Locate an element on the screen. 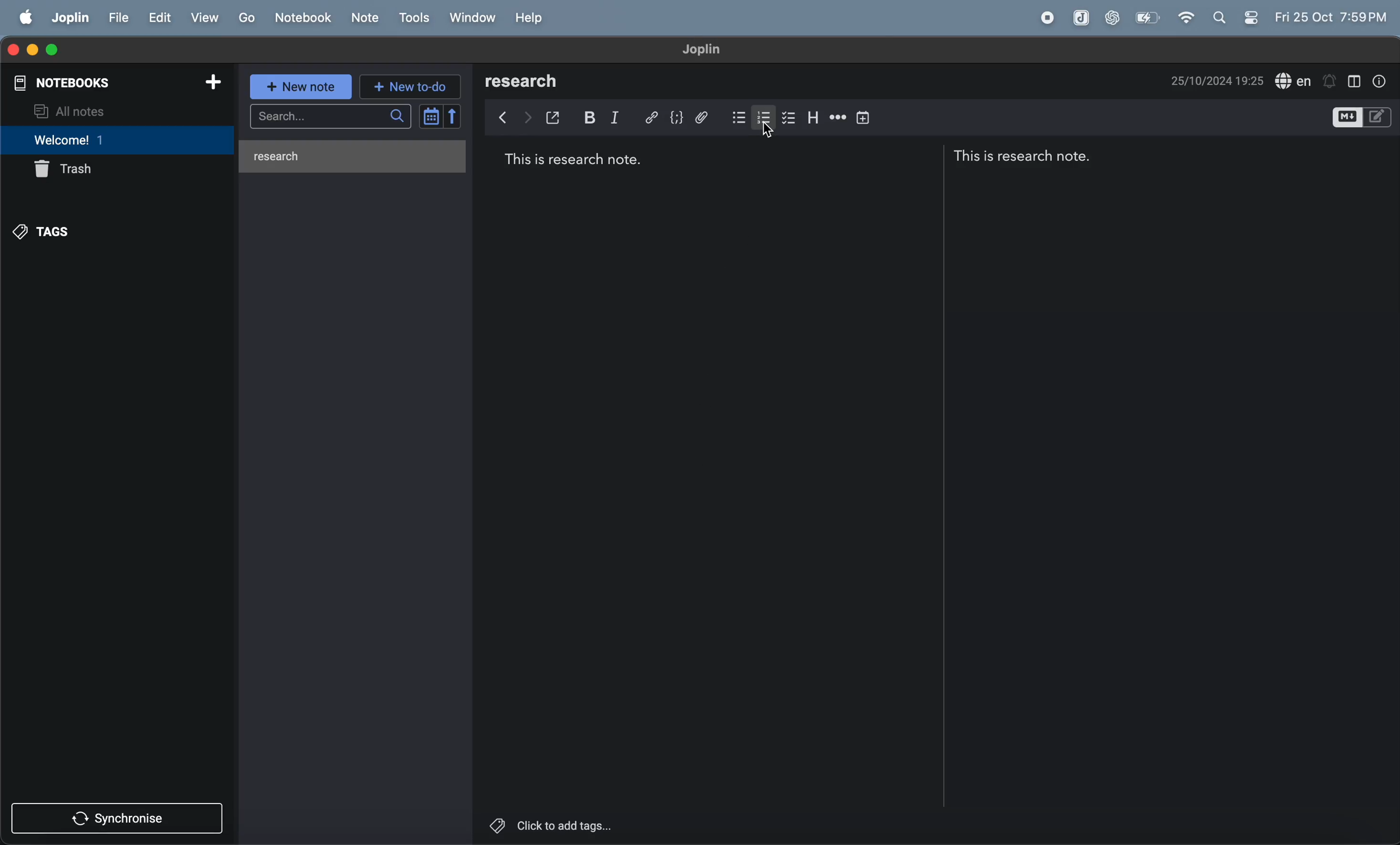 This screenshot has height=845, width=1400. trash is located at coordinates (71, 171).